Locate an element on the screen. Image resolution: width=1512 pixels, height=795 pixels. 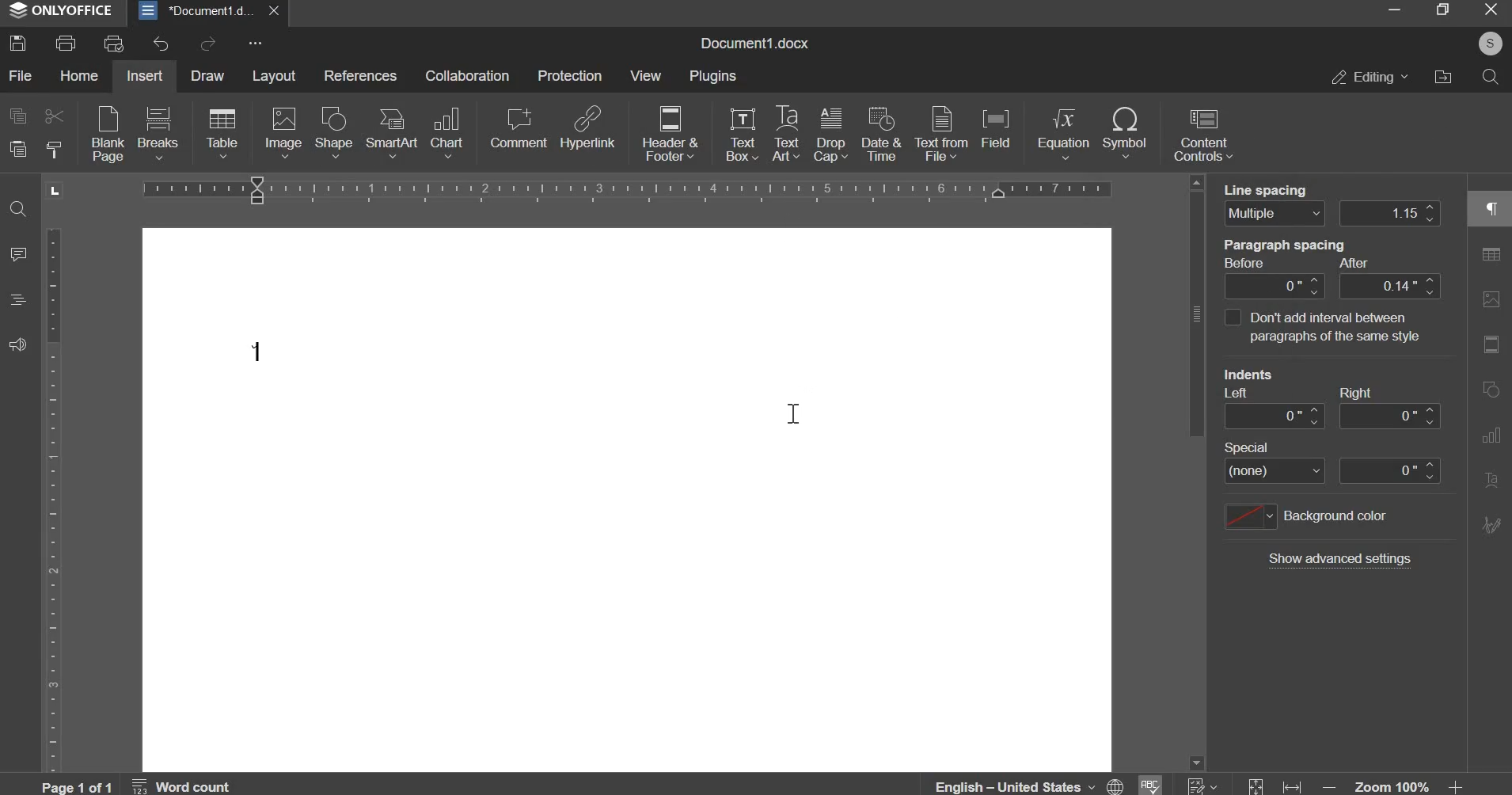
layout is located at coordinates (273, 75).